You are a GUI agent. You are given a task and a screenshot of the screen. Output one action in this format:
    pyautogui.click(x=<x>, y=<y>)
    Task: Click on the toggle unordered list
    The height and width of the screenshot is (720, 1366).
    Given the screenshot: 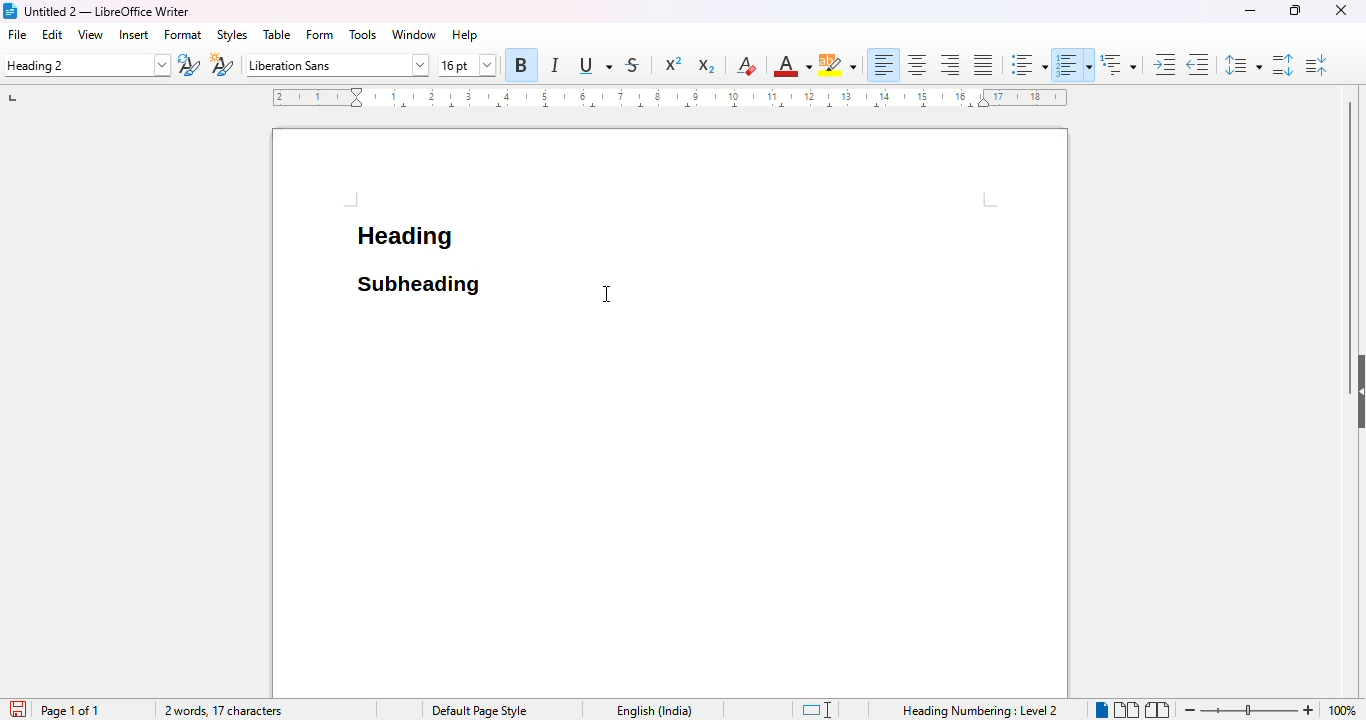 What is the action you would take?
    pyautogui.click(x=1030, y=65)
    